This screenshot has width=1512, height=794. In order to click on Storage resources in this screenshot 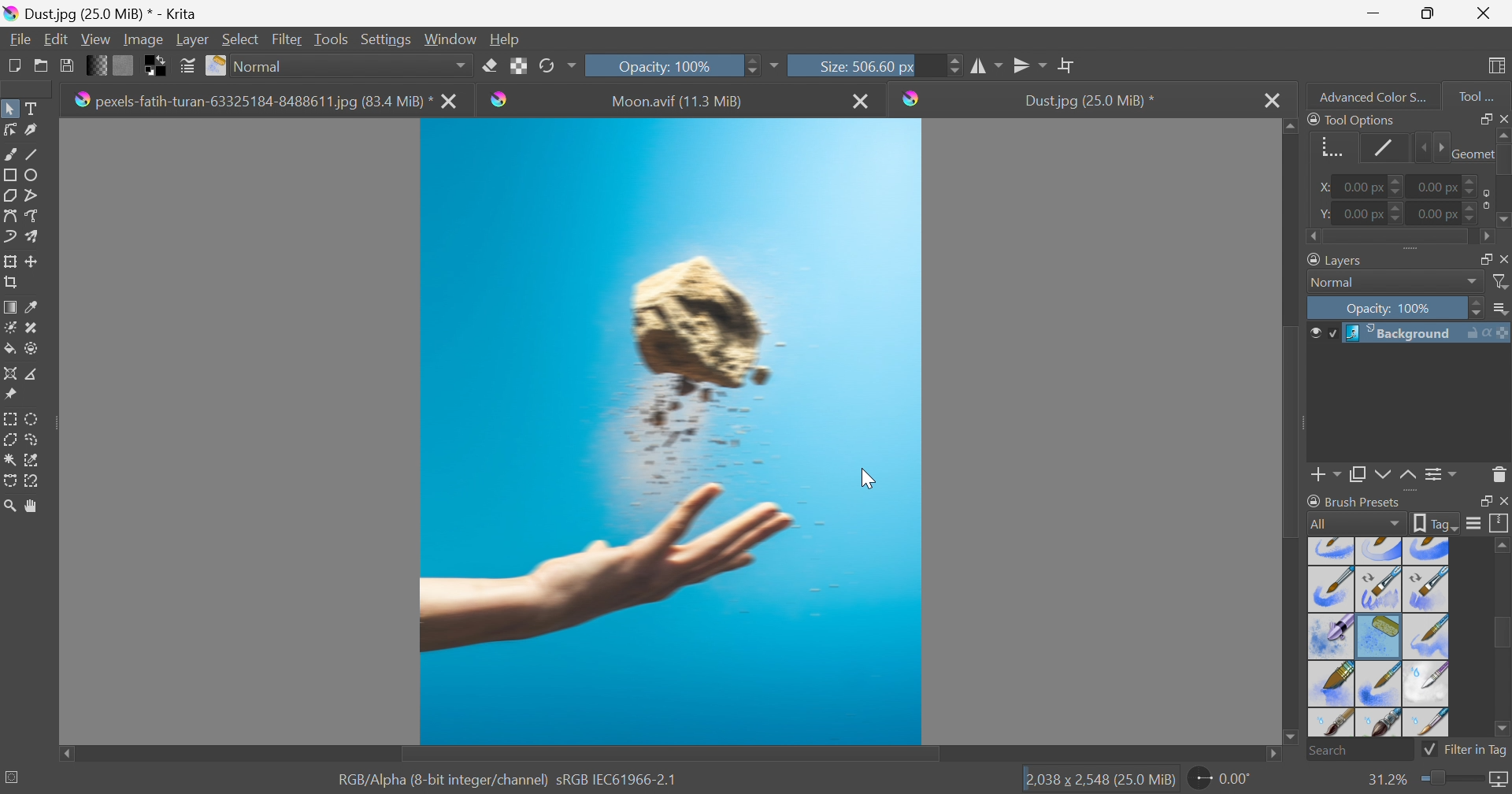, I will do `click(1499, 524)`.